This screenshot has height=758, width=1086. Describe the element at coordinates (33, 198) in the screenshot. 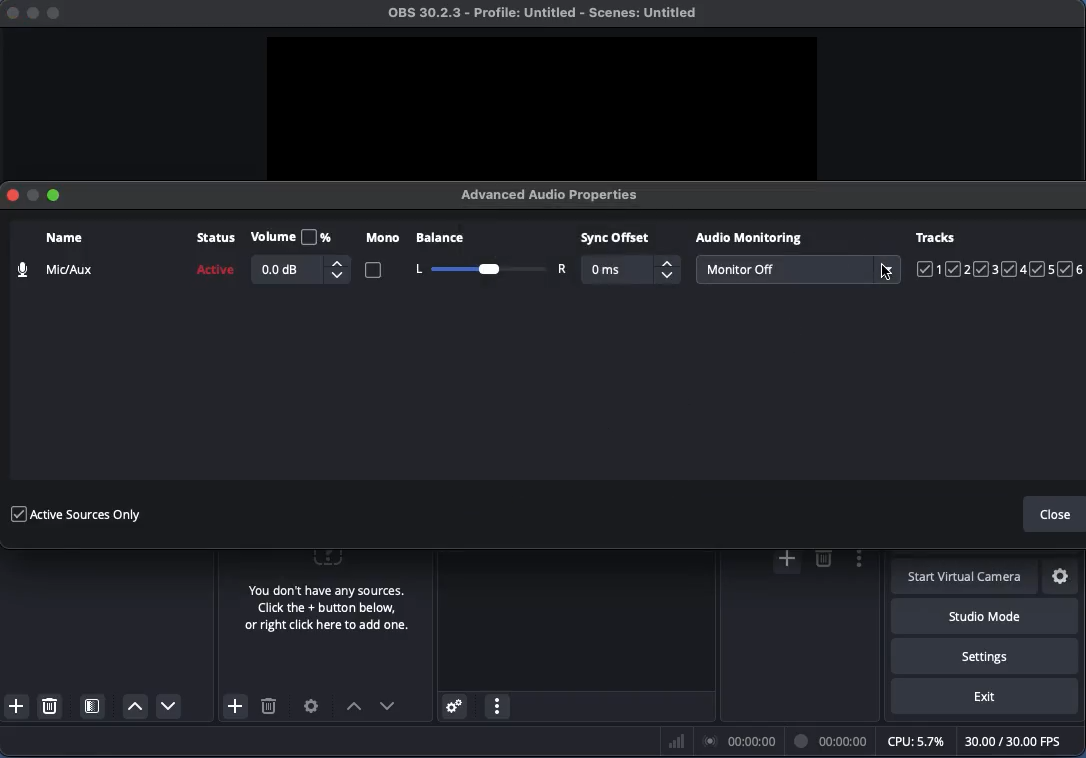

I see `Minimize` at that location.